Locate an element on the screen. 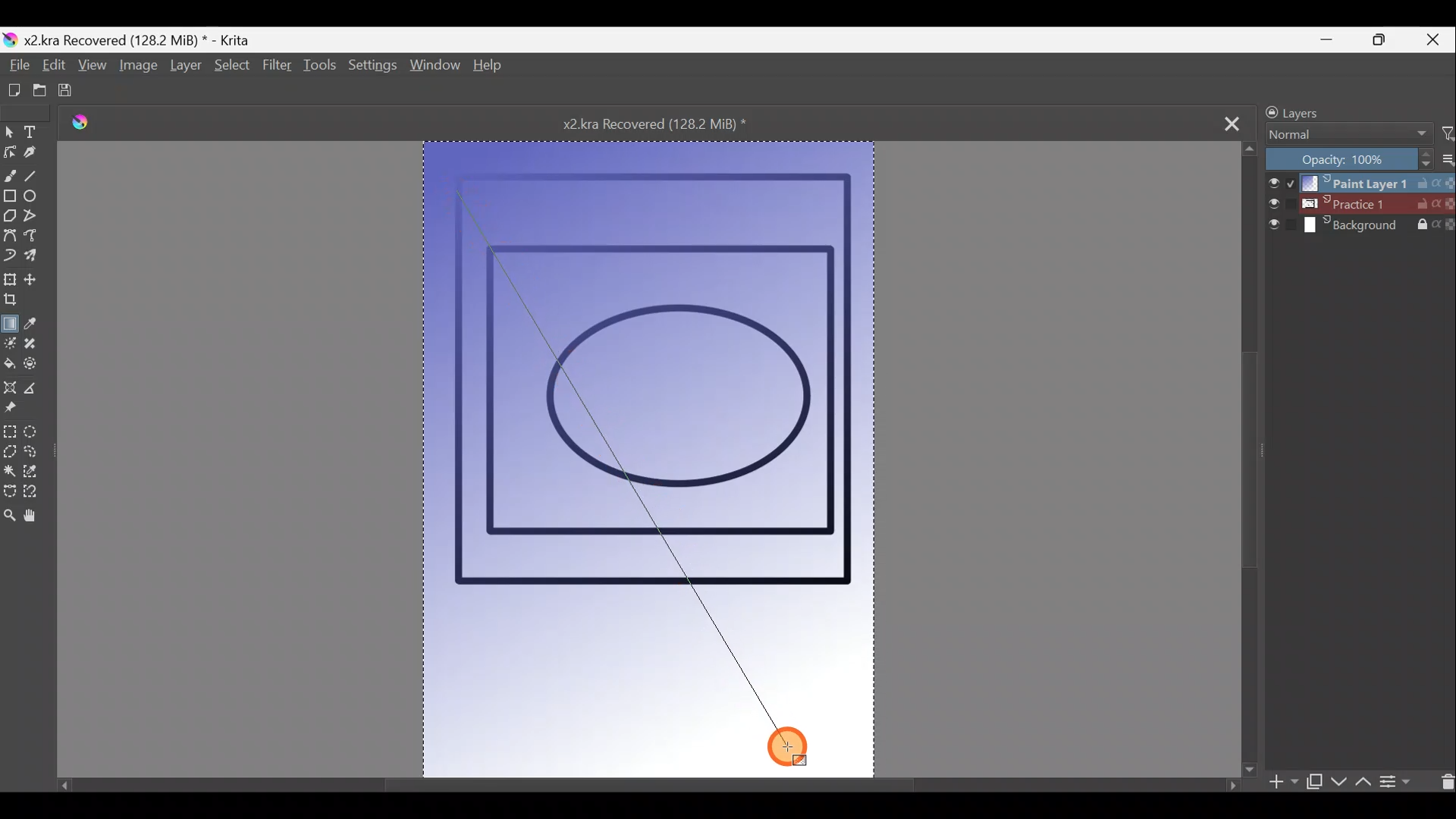 The image size is (1456, 819). Calligraphy is located at coordinates (30, 157).